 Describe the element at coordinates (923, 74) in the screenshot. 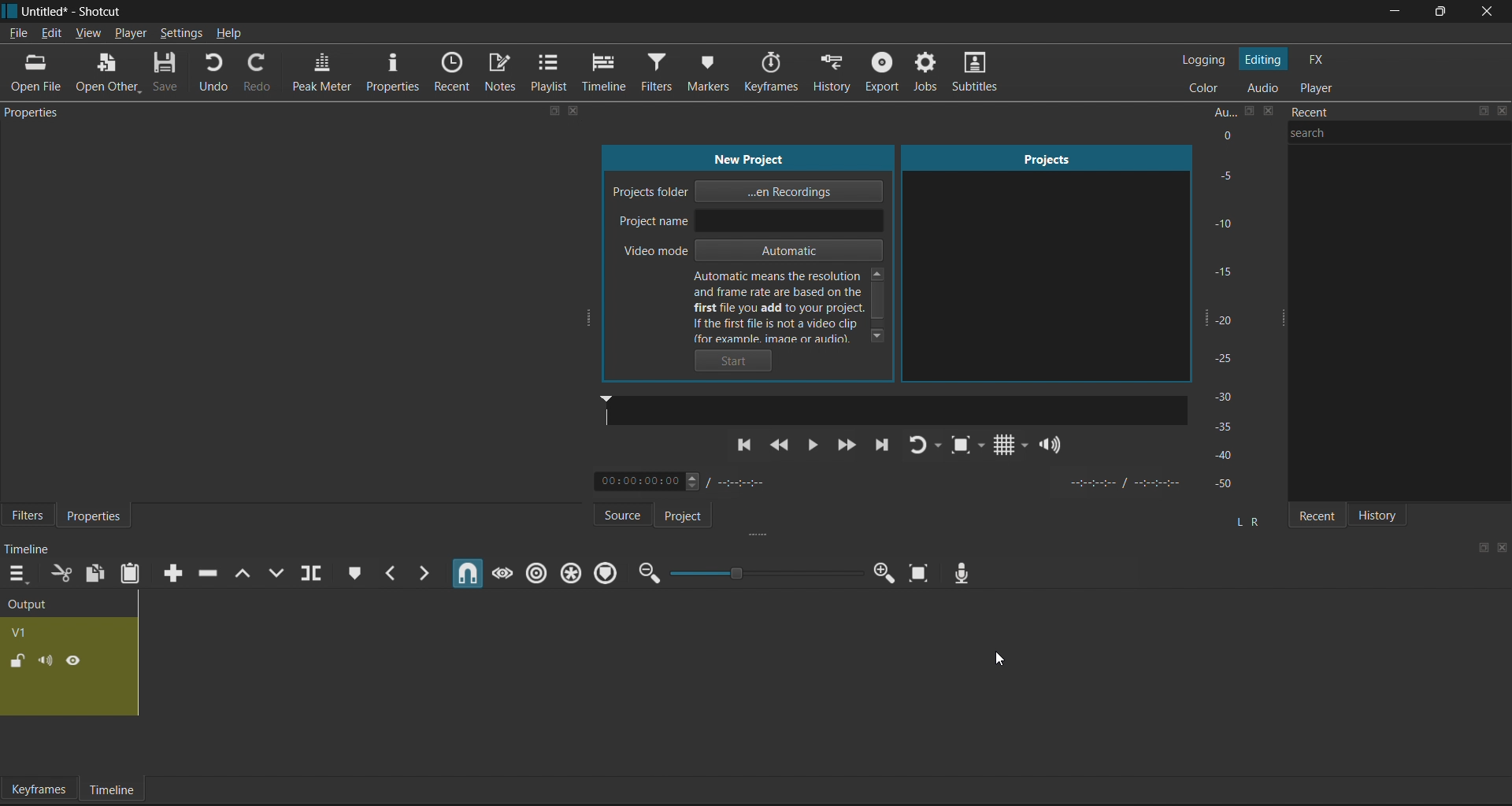

I see `Jobs` at that location.